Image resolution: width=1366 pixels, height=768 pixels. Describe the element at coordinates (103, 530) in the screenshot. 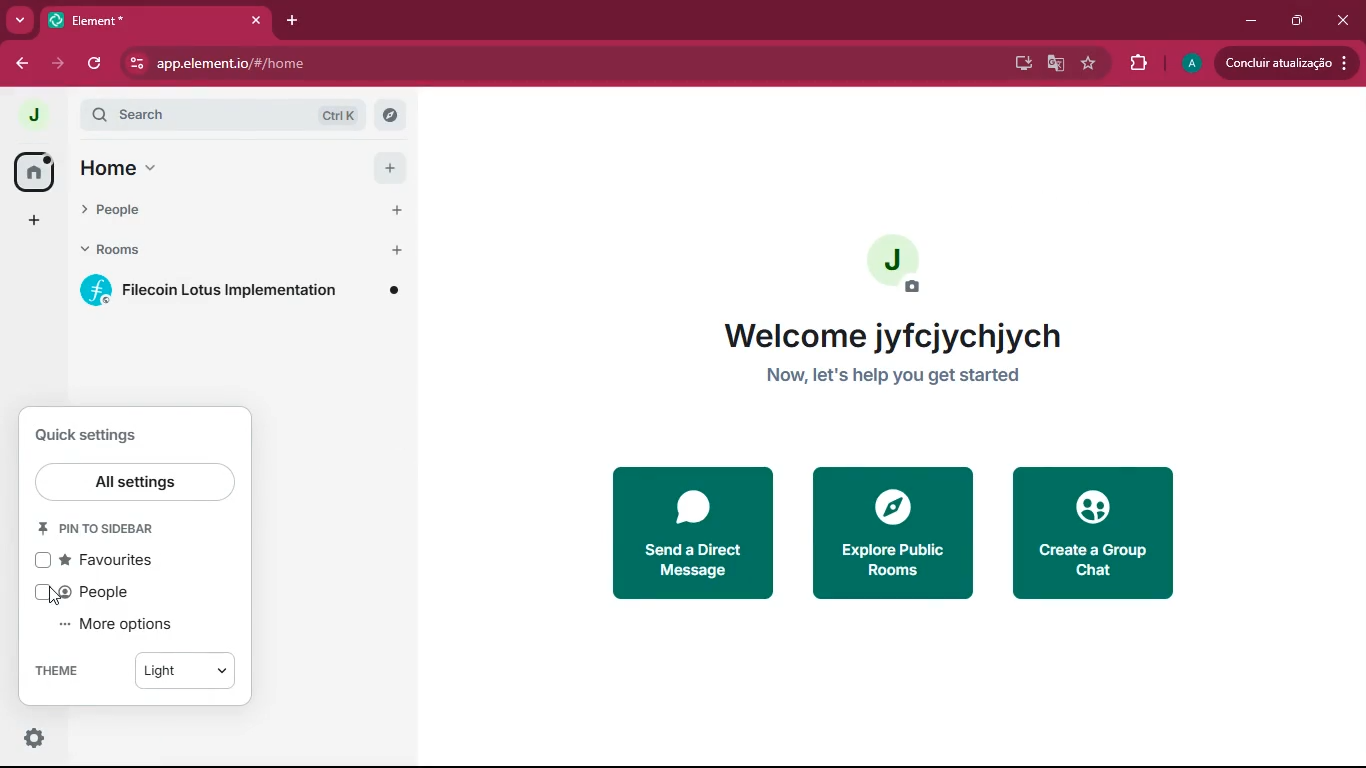

I see `pin ` at that location.